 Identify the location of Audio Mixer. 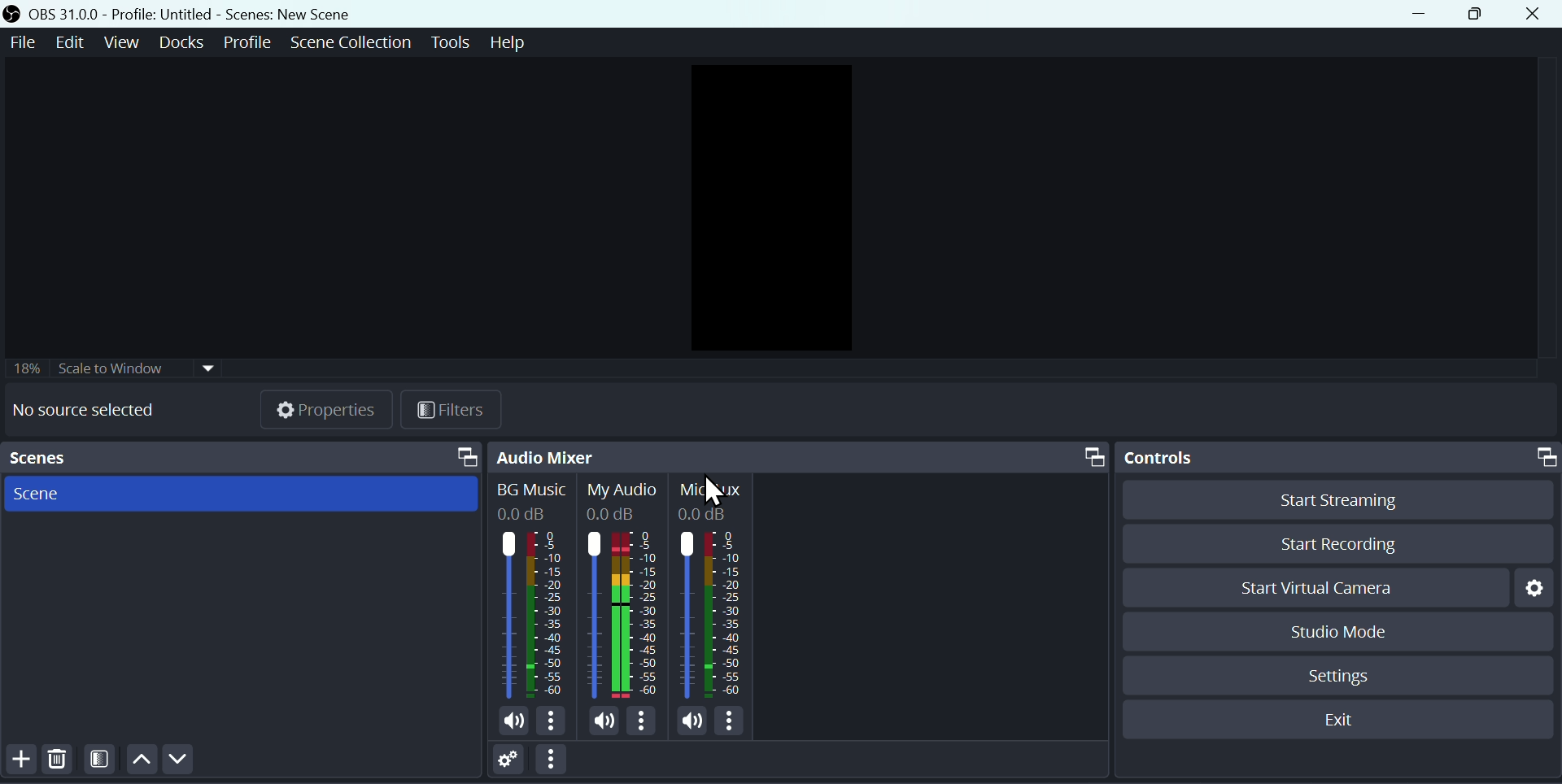
(798, 455).